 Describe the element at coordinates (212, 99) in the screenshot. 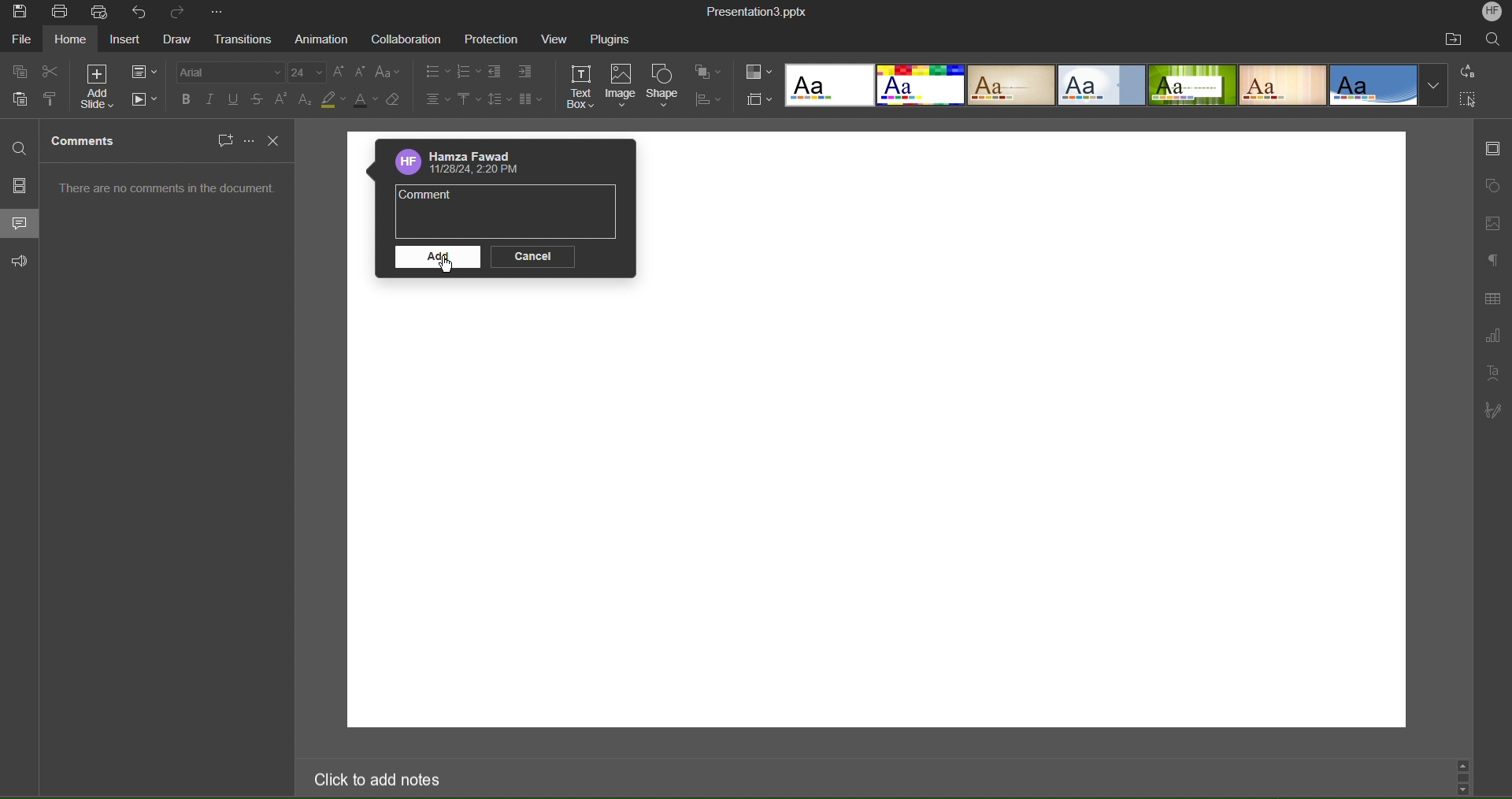

I see `Italics` at that location.